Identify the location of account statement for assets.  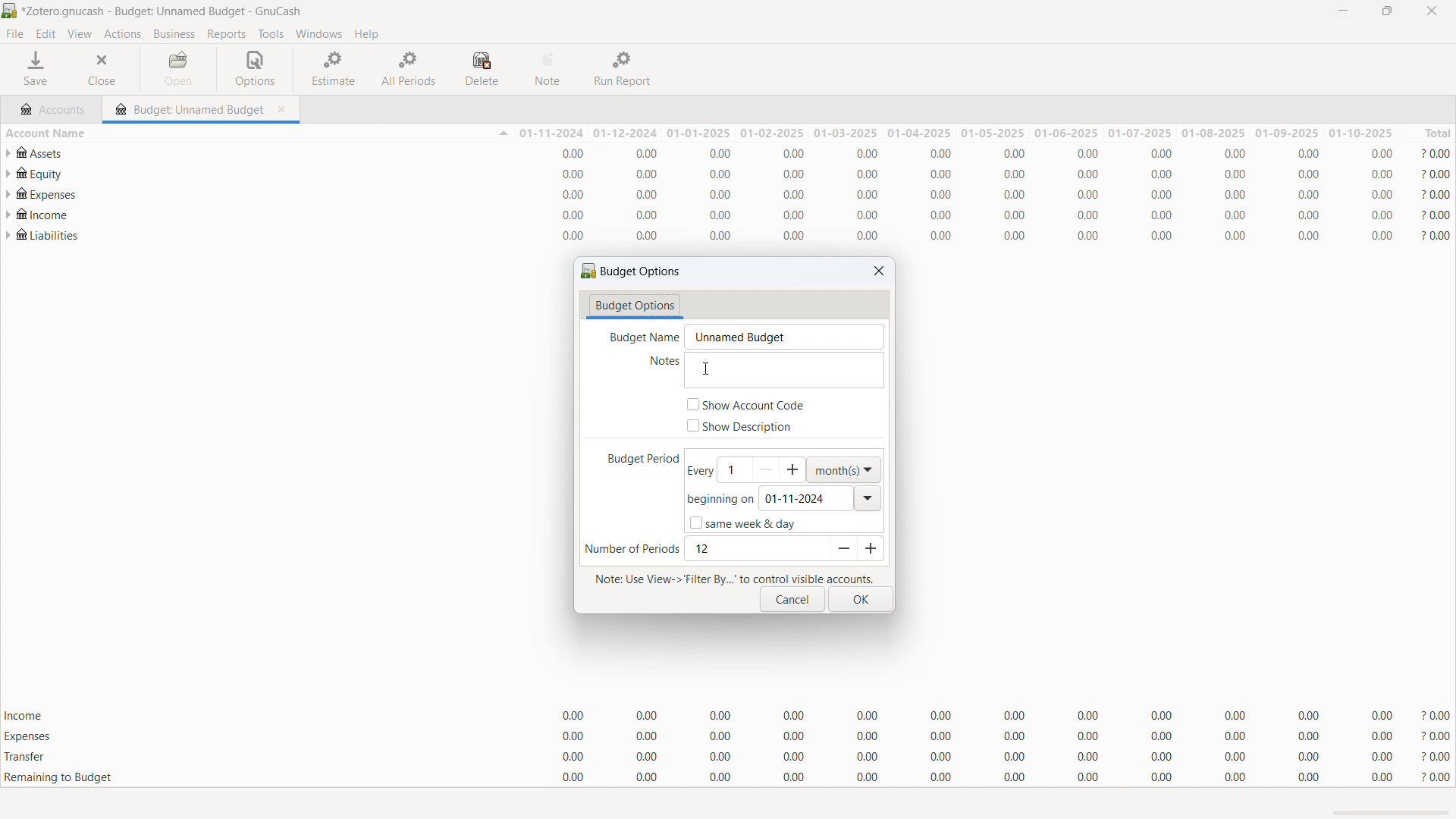
(736, 153).